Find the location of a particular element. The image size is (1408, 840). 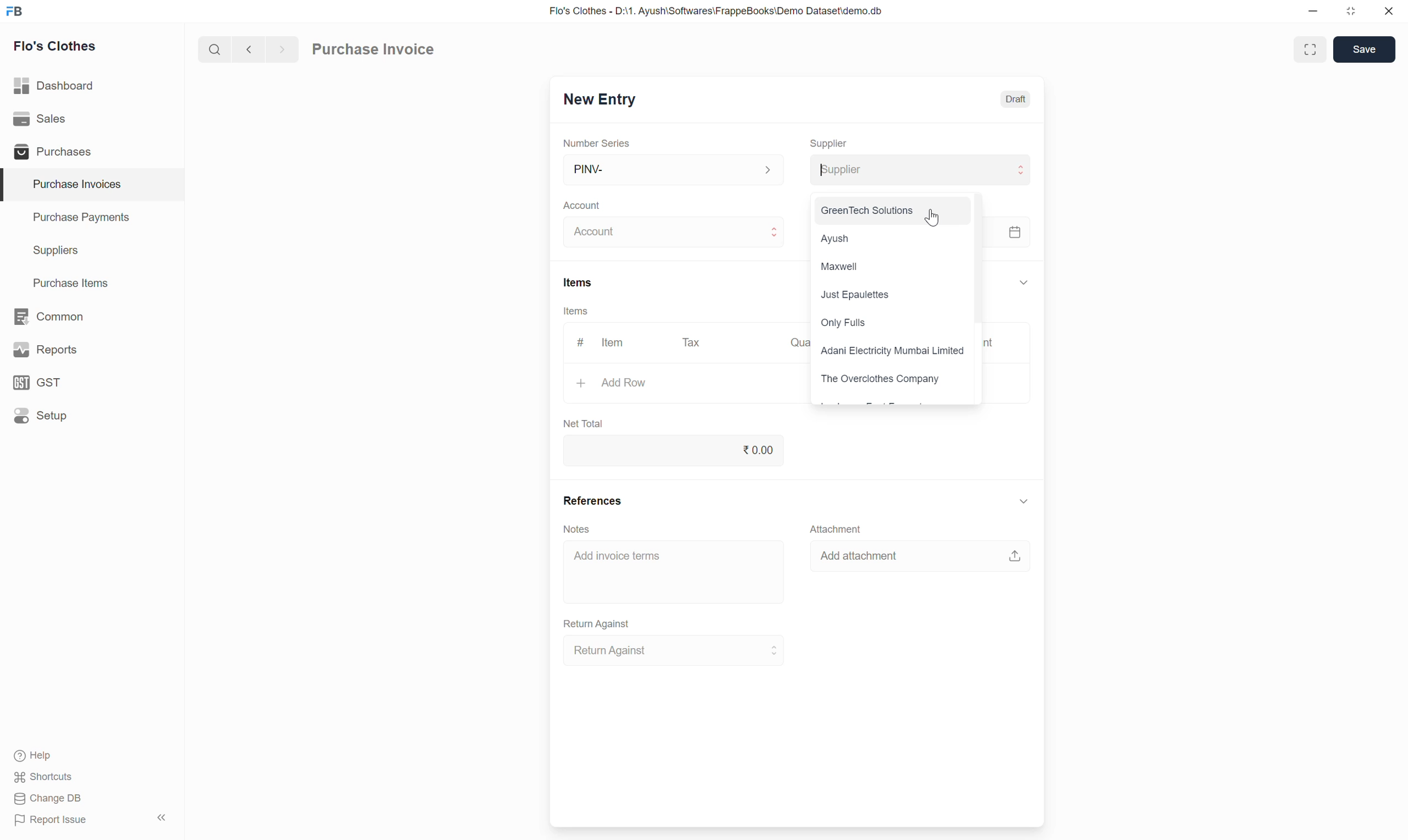

Sales is located at coordinates (91, 119).